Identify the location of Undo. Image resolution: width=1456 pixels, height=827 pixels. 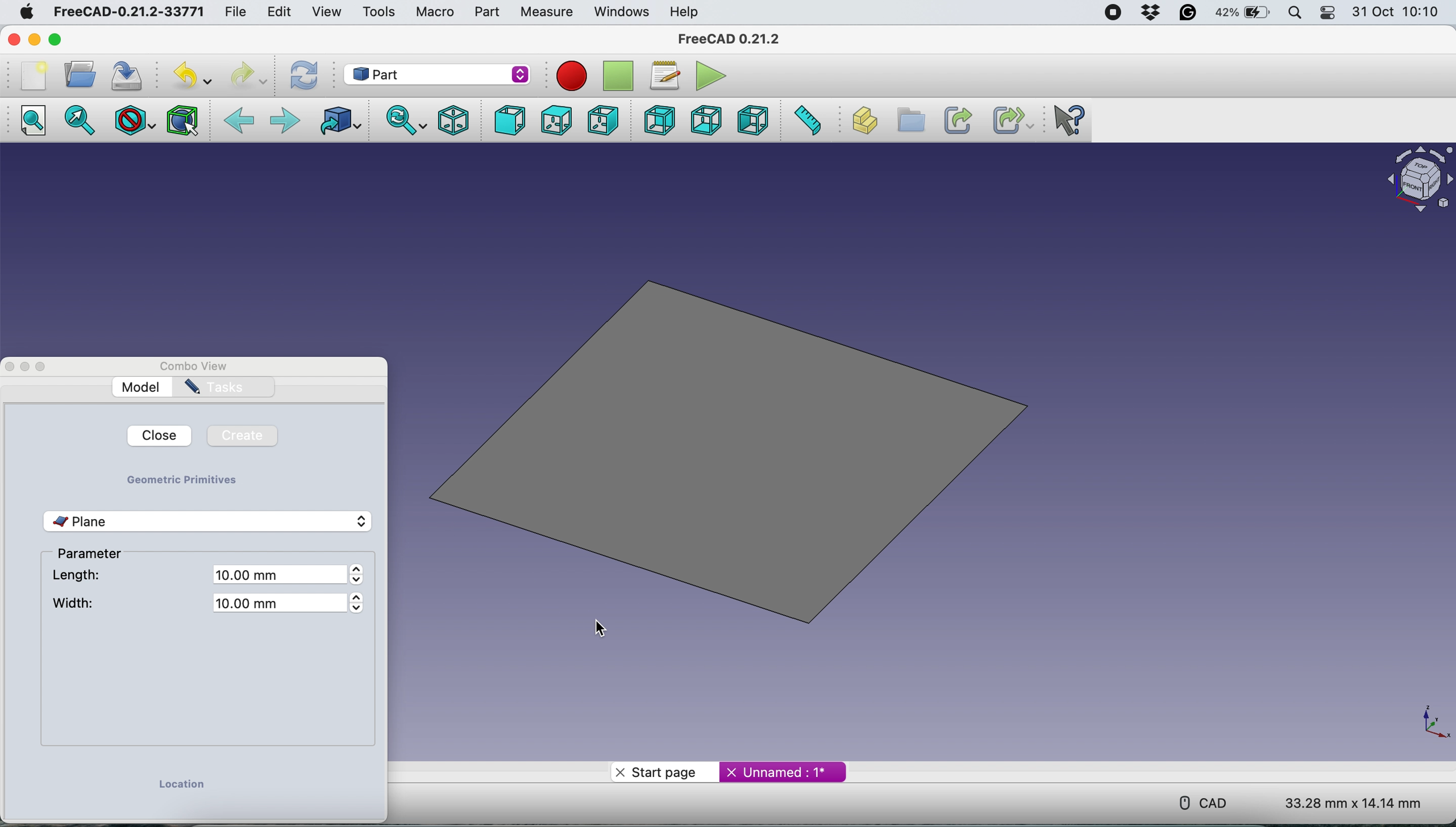
(192, 76).